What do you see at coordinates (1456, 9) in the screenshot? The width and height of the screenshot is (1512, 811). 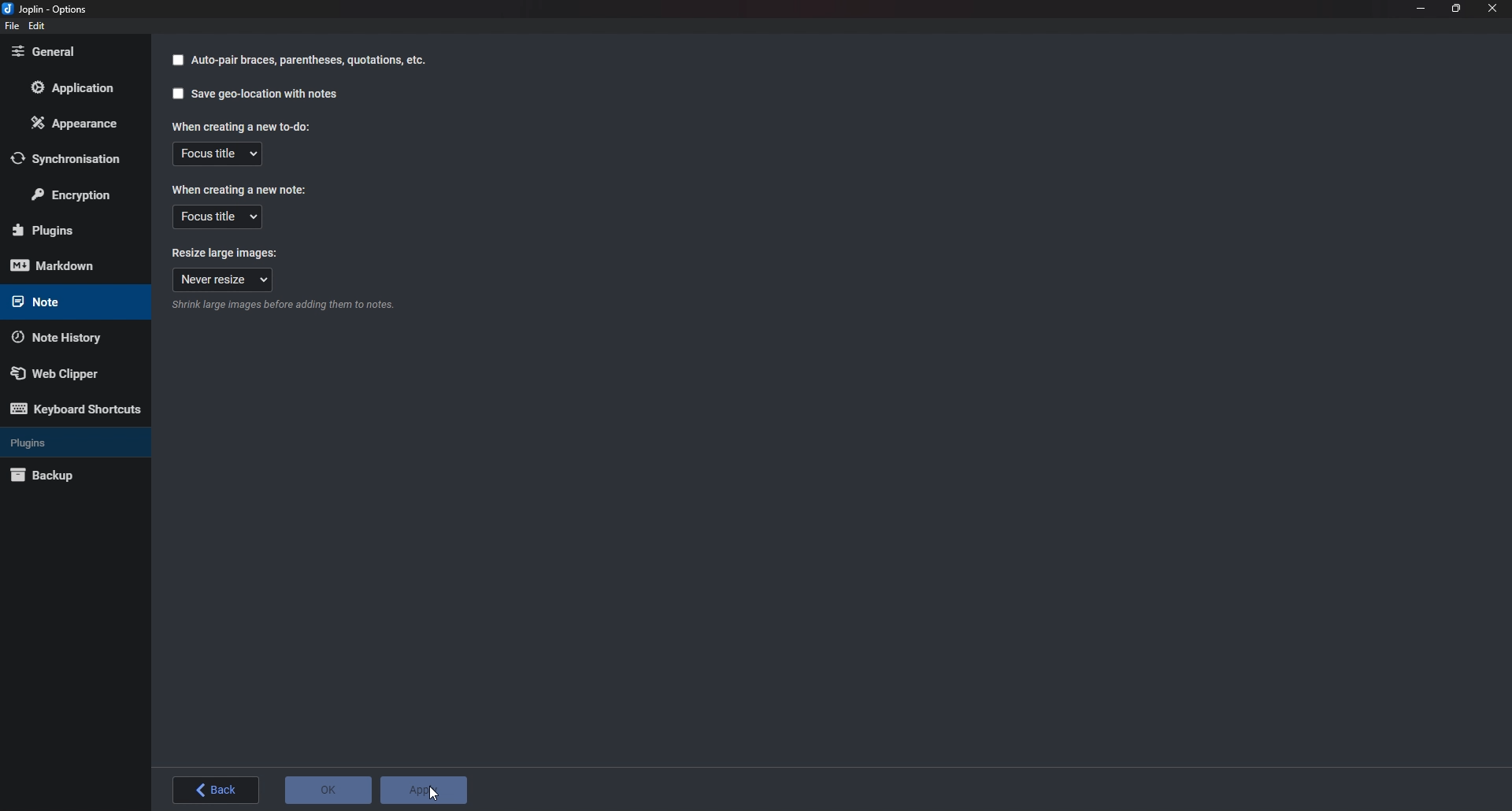 I see `Resize` at bounding box center [1456, 9].